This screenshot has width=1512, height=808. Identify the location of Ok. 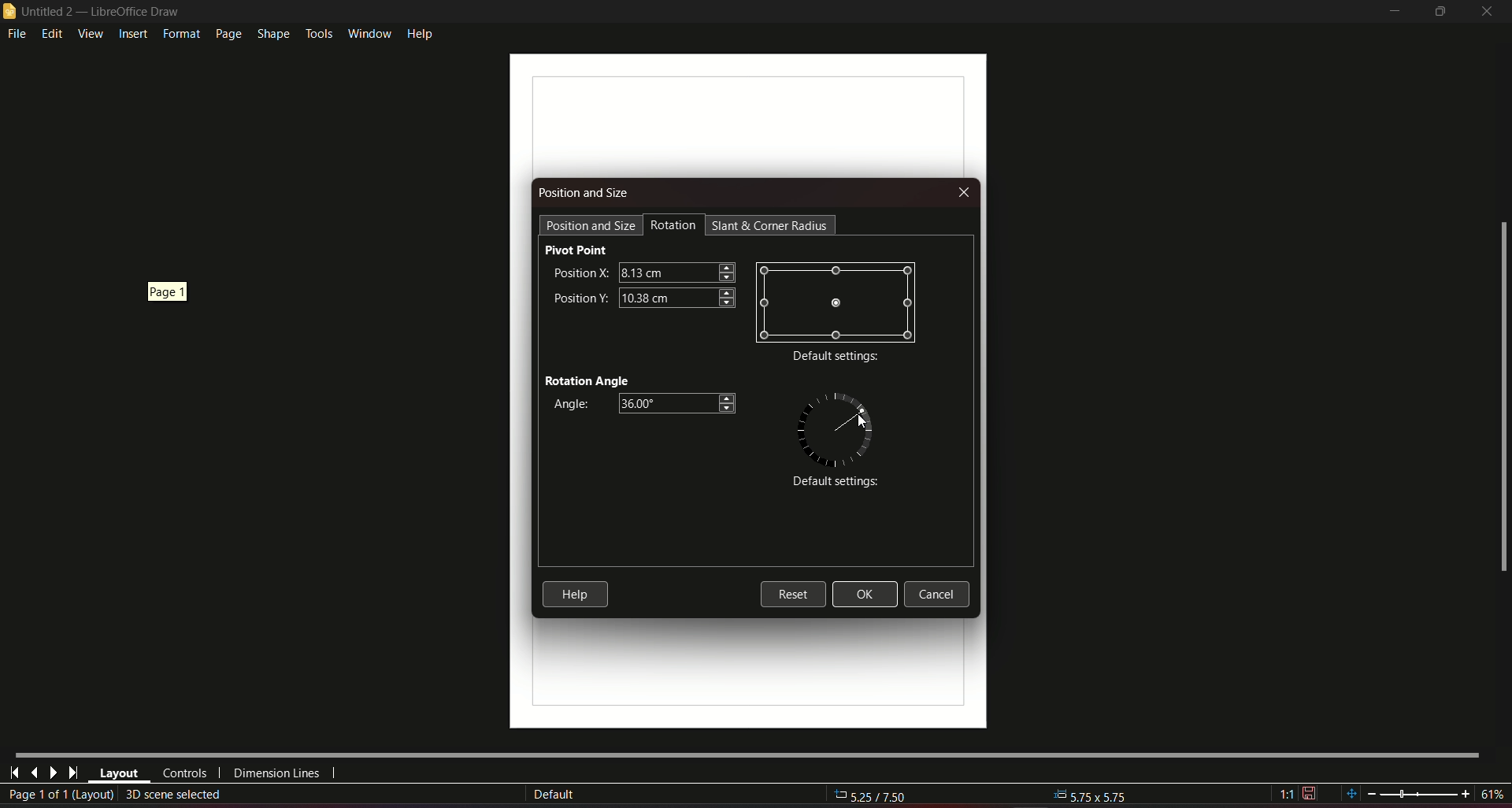
(865, 595).